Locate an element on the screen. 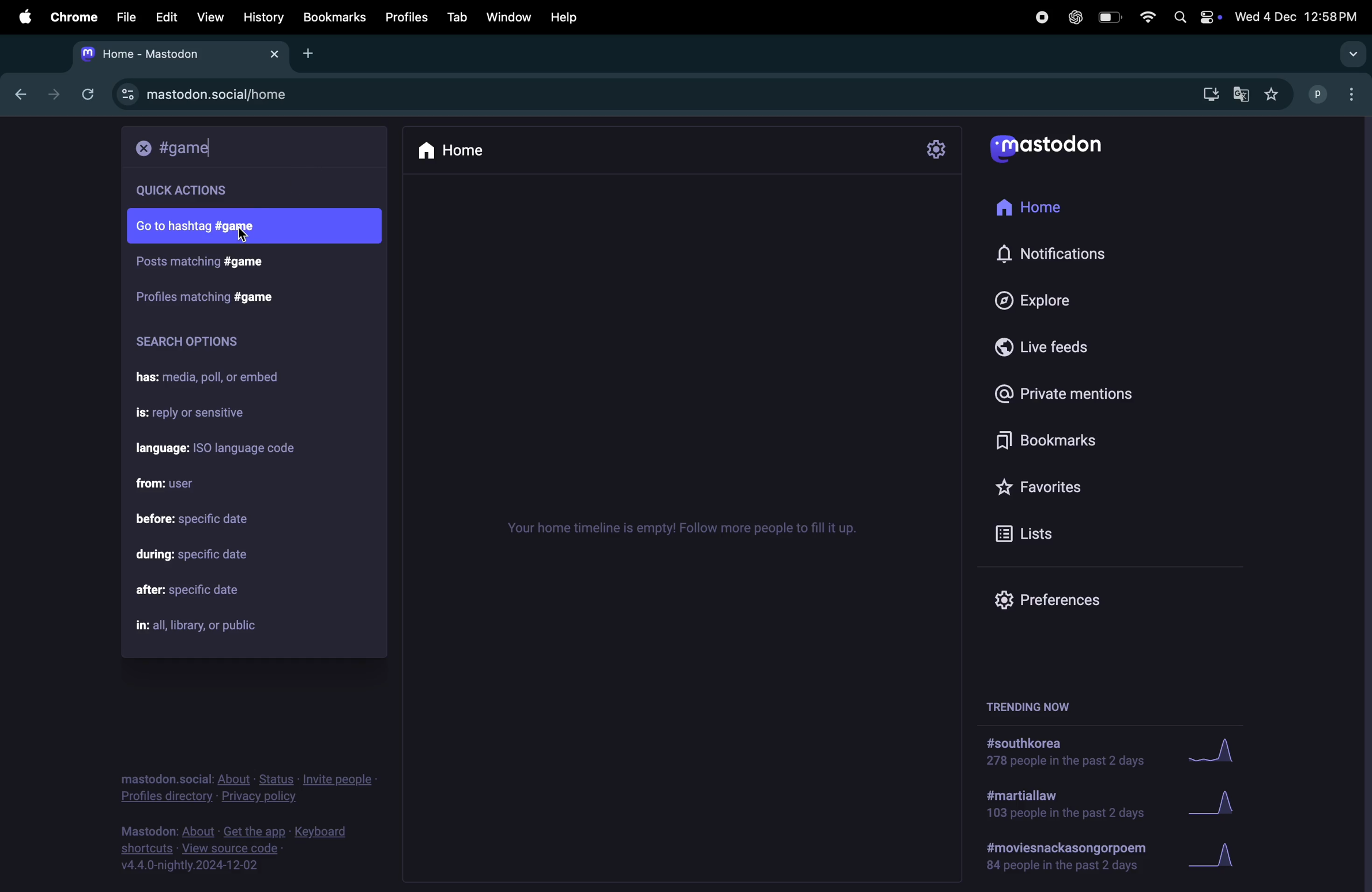 The width and height of the screenshot is (1372, 892). time line is located at coordinates (689, 527).